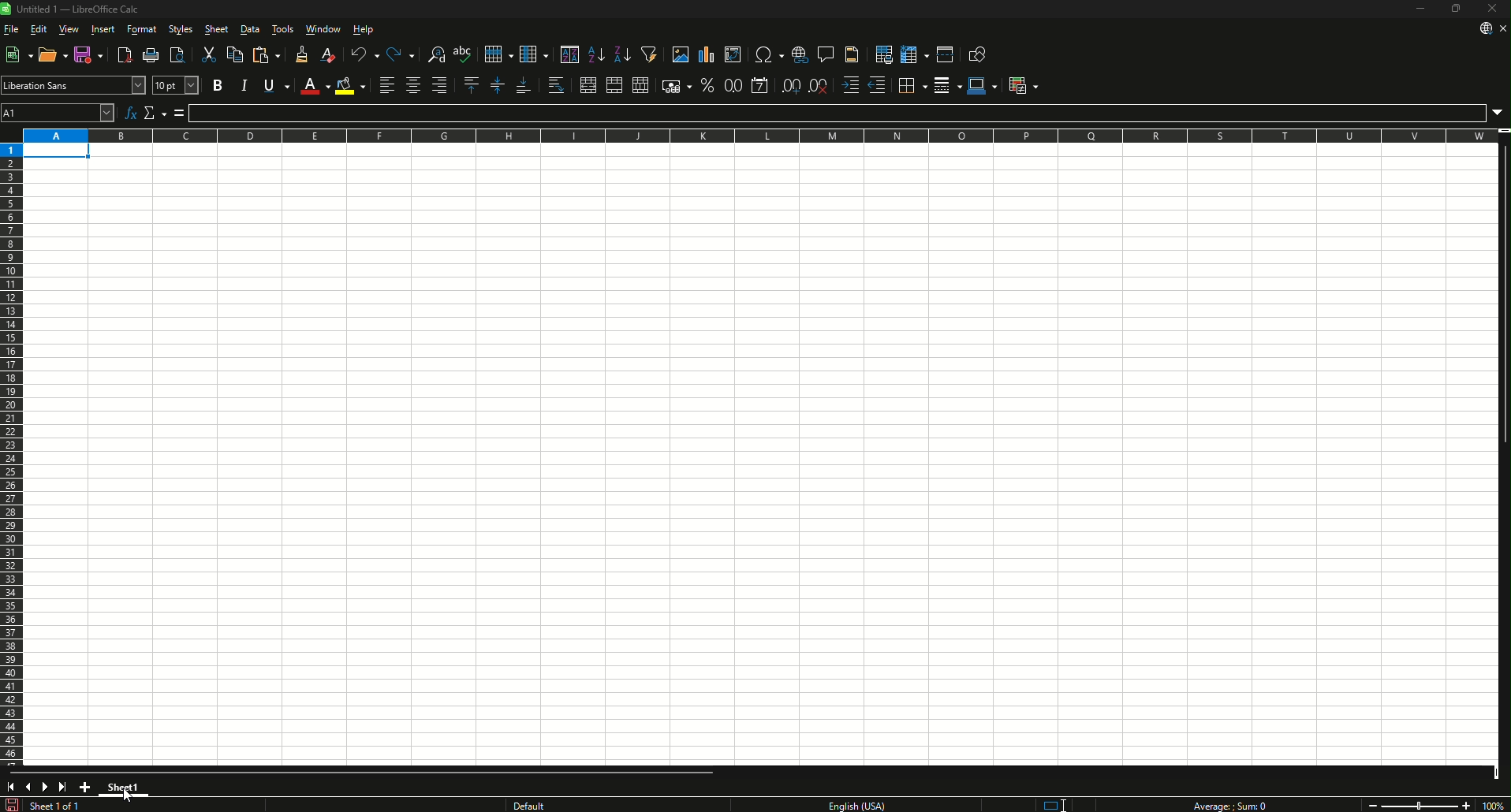 This screenshot has height=812, width=1511. Describe the element at coordinates (365, 54) in the screenshot. I see `Undo` at that location.